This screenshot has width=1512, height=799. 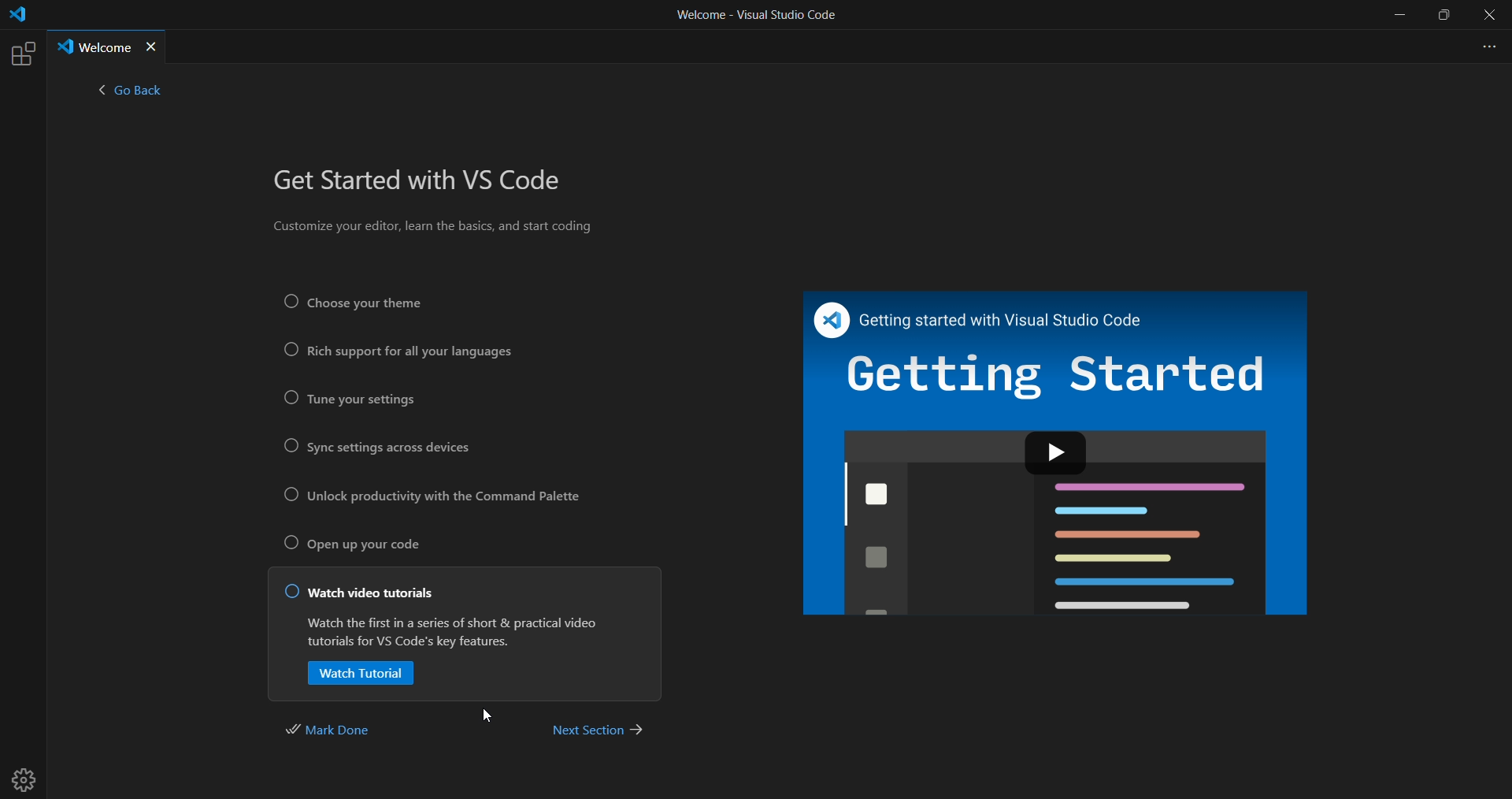 I want to click on get started with VS Code, so click(x=424, y=182).